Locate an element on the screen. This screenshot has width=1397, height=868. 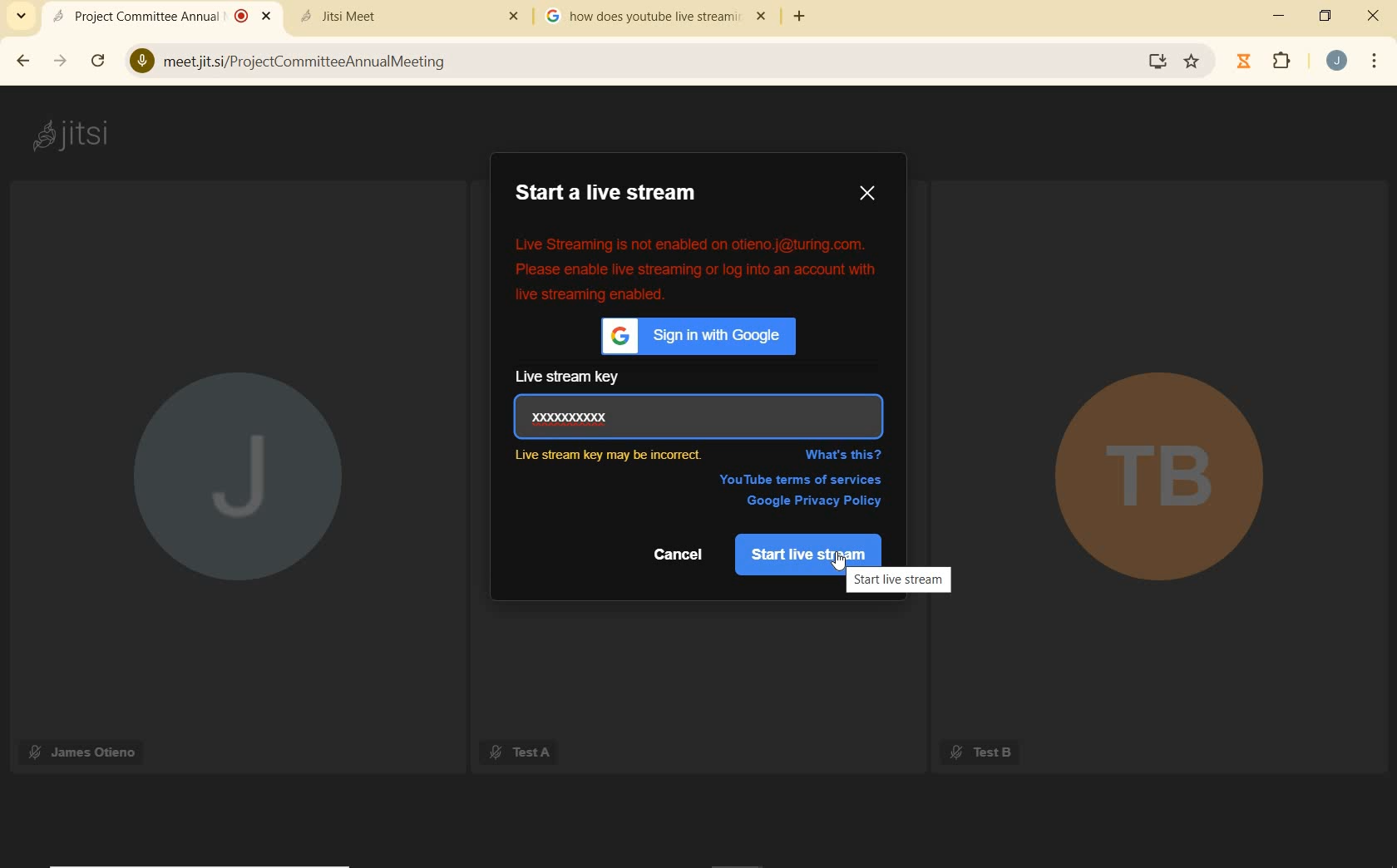
reload is located at coordinates (103, 63).